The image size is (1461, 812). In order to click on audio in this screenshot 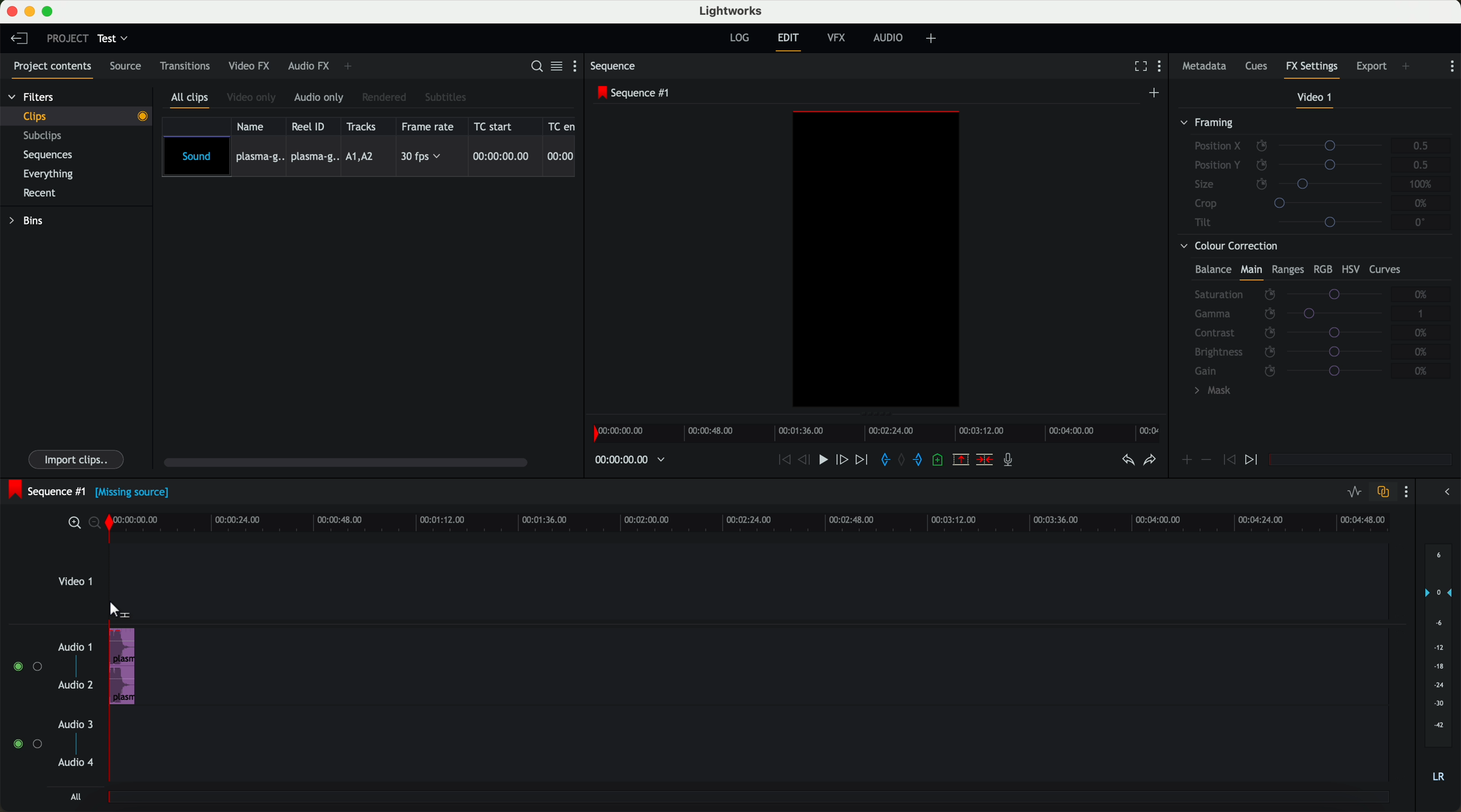, I will do `click(123, 666)`.